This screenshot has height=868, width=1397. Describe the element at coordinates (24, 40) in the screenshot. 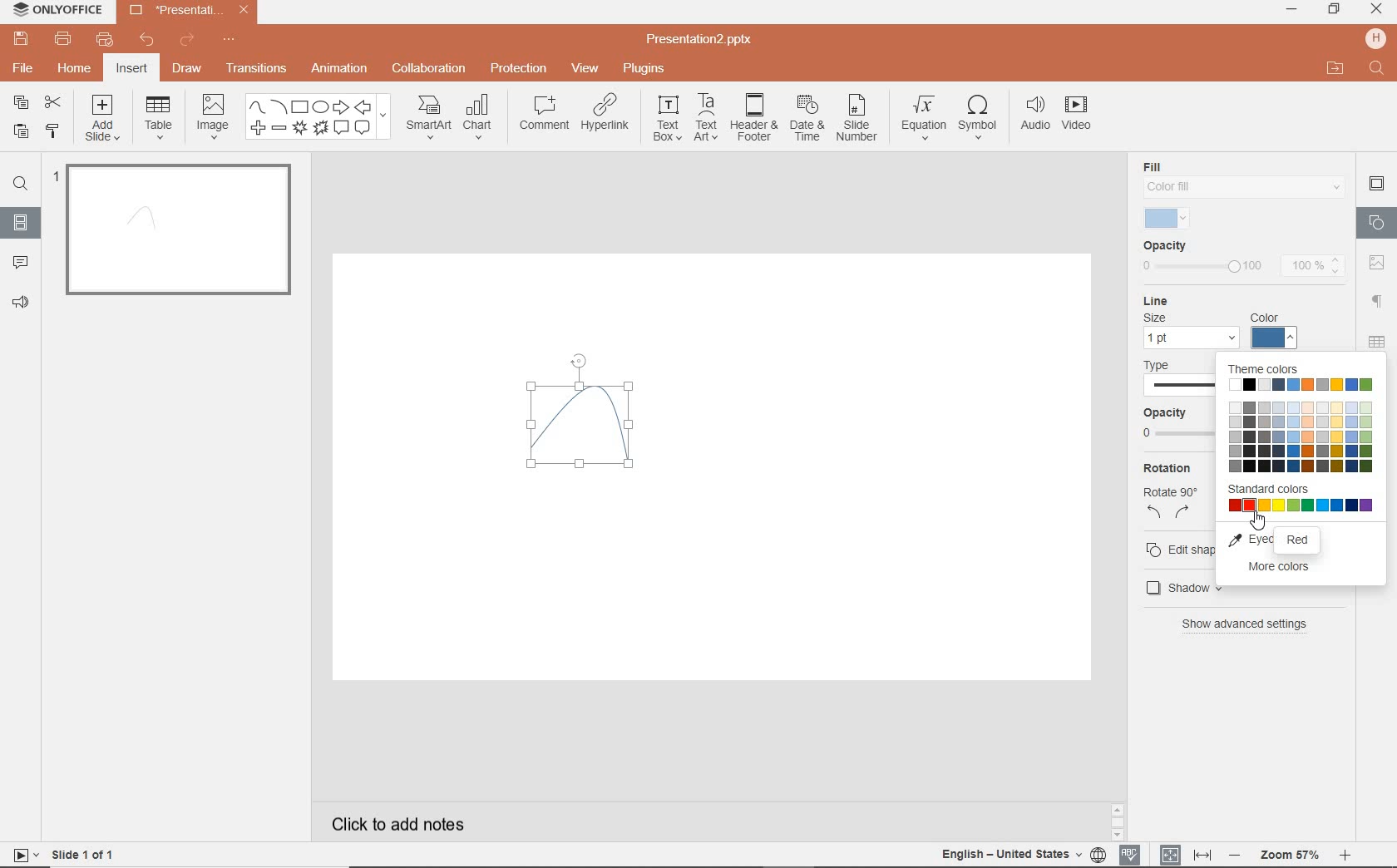

I see `SAVE` at that location.